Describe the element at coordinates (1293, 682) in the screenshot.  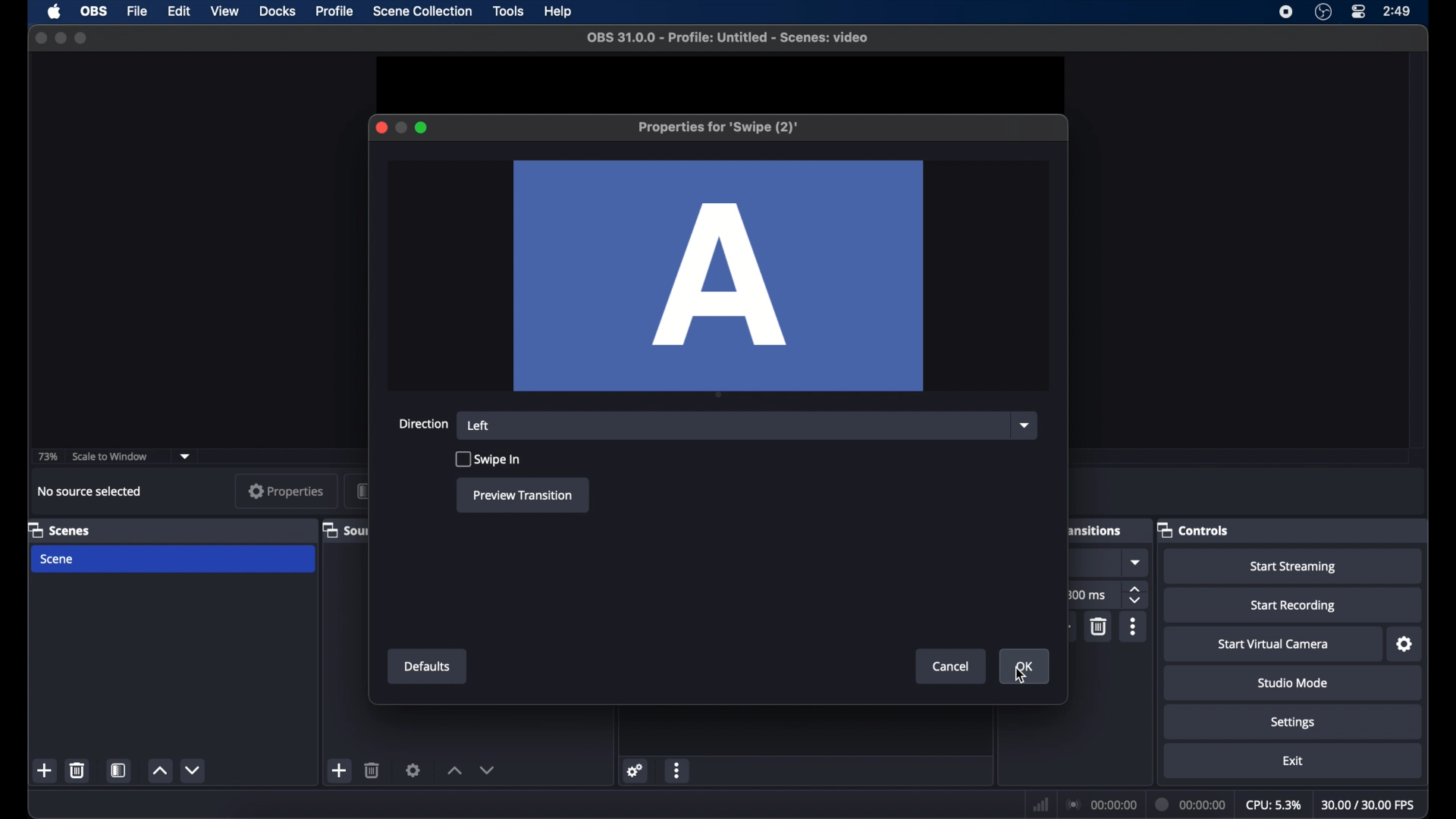
I see `studio mode` at that location.